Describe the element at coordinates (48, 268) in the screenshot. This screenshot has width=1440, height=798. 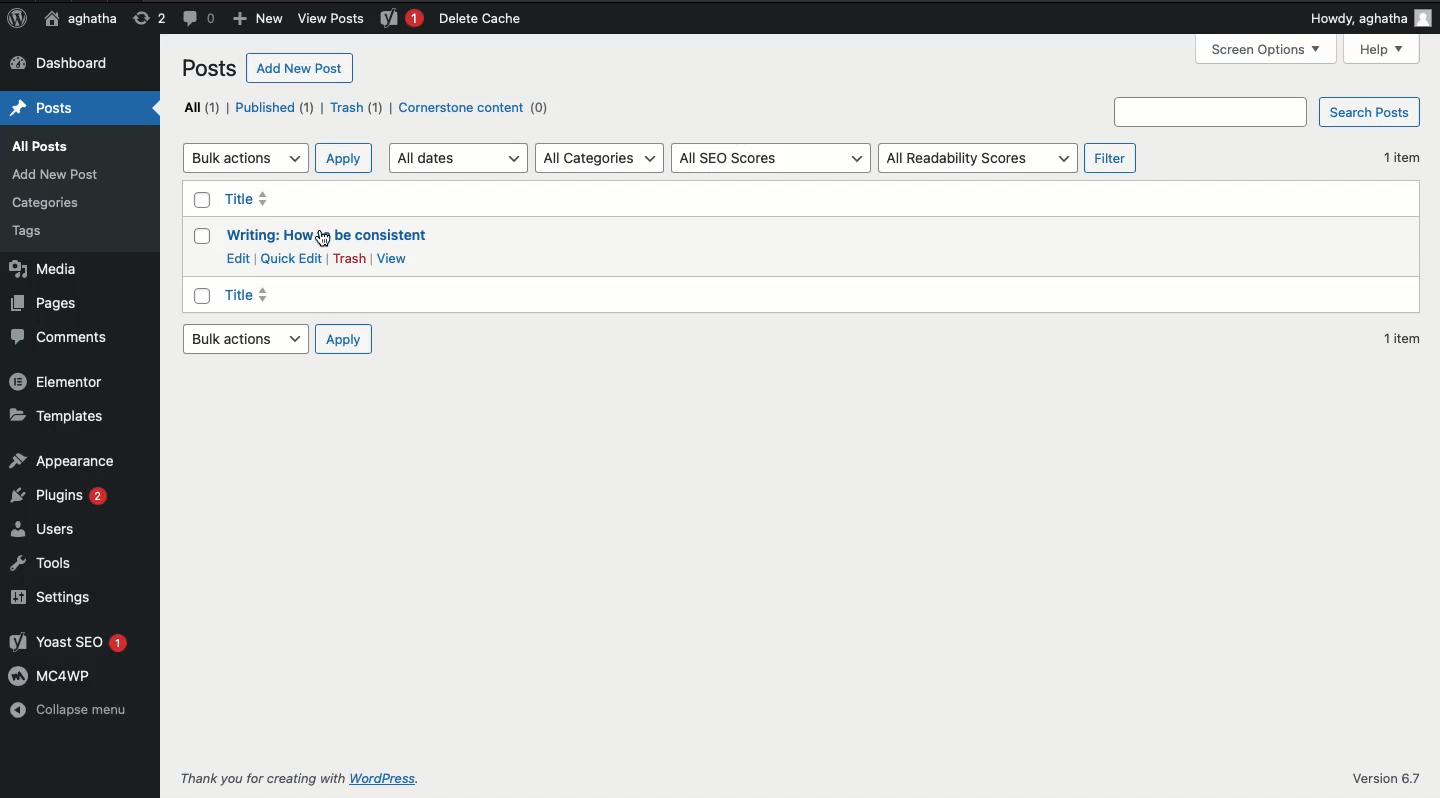
I see `Media` at that location.